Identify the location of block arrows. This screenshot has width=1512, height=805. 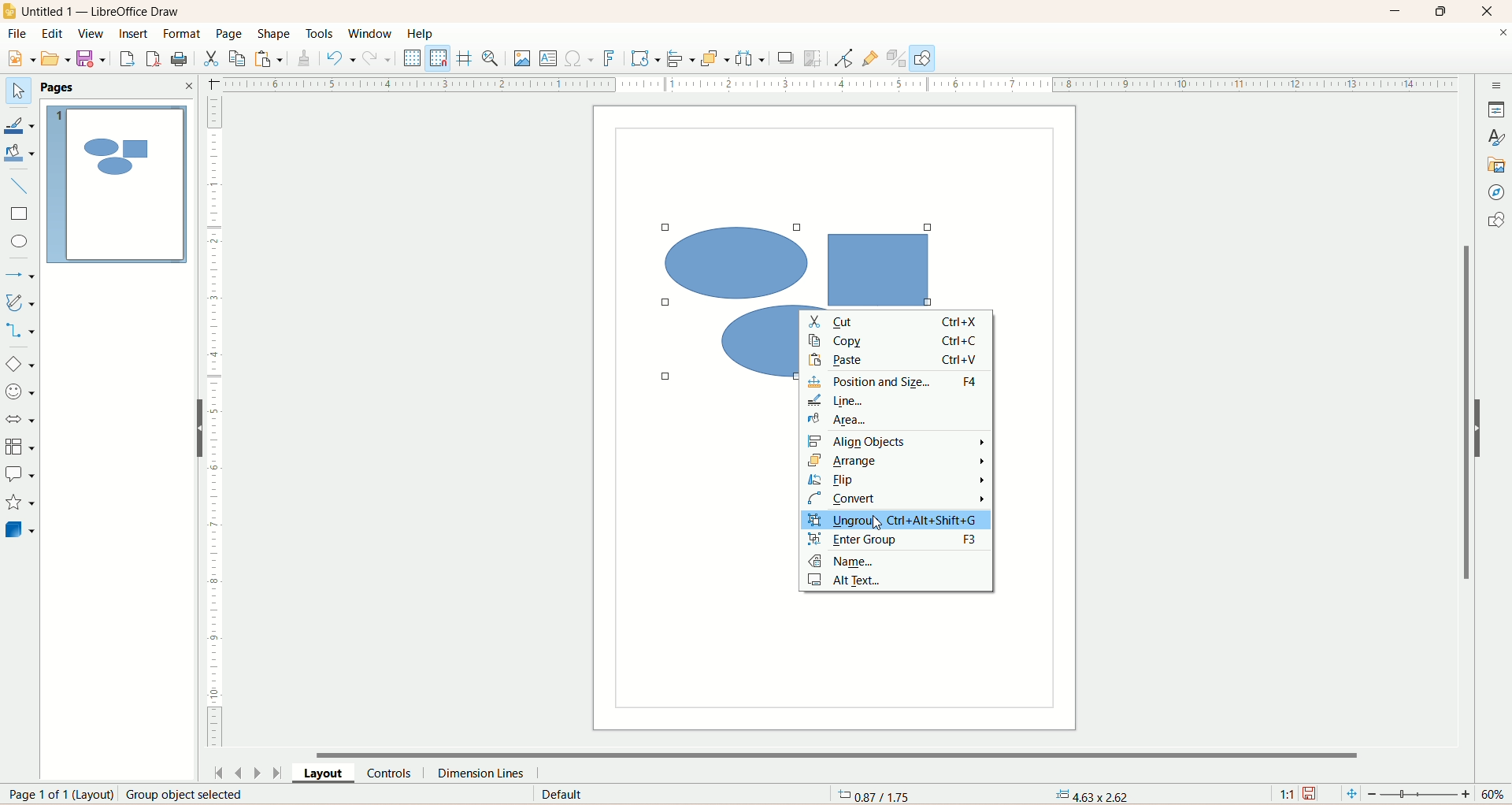
(21, 421).